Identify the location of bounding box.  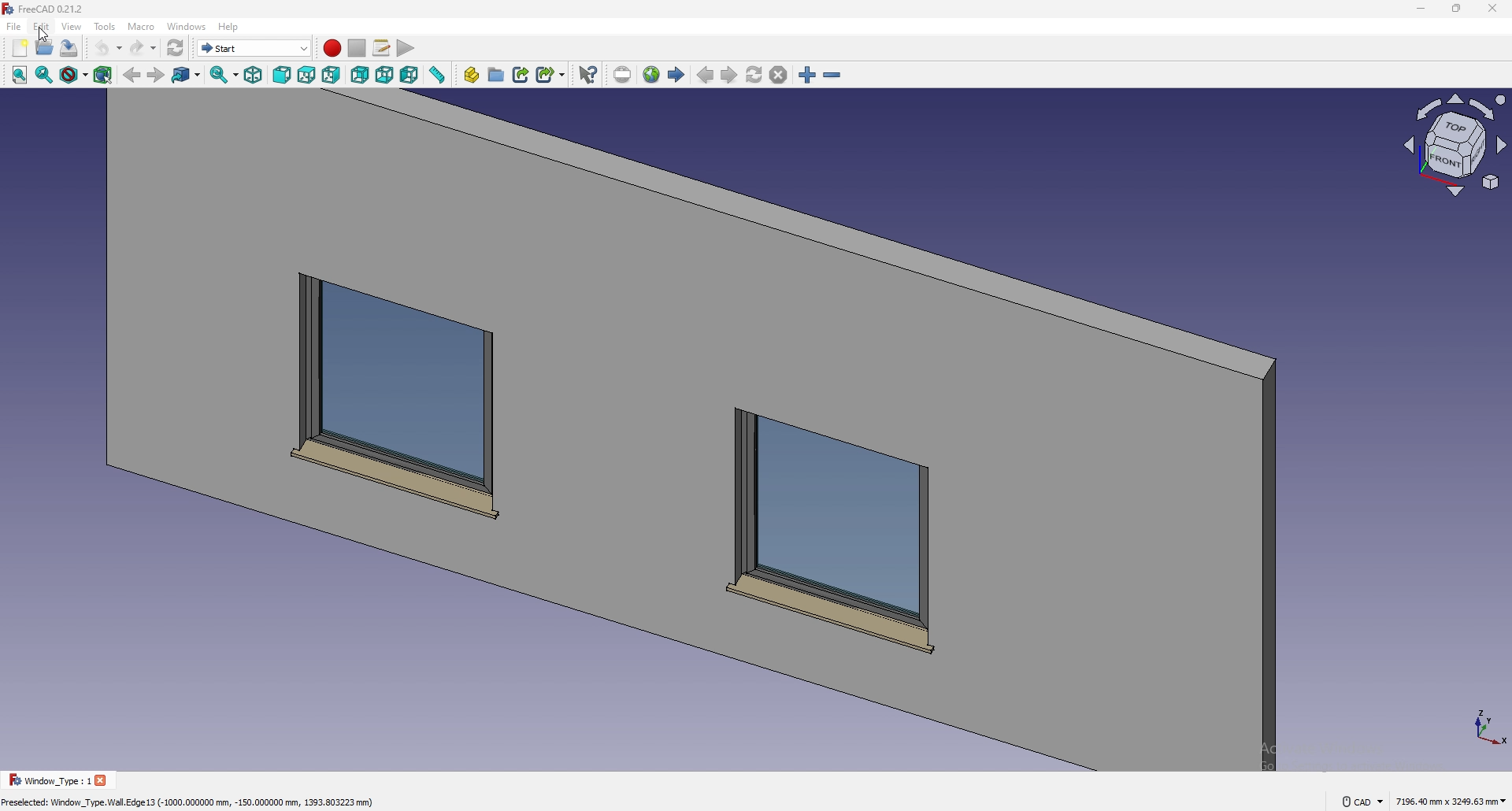
(104, 75).